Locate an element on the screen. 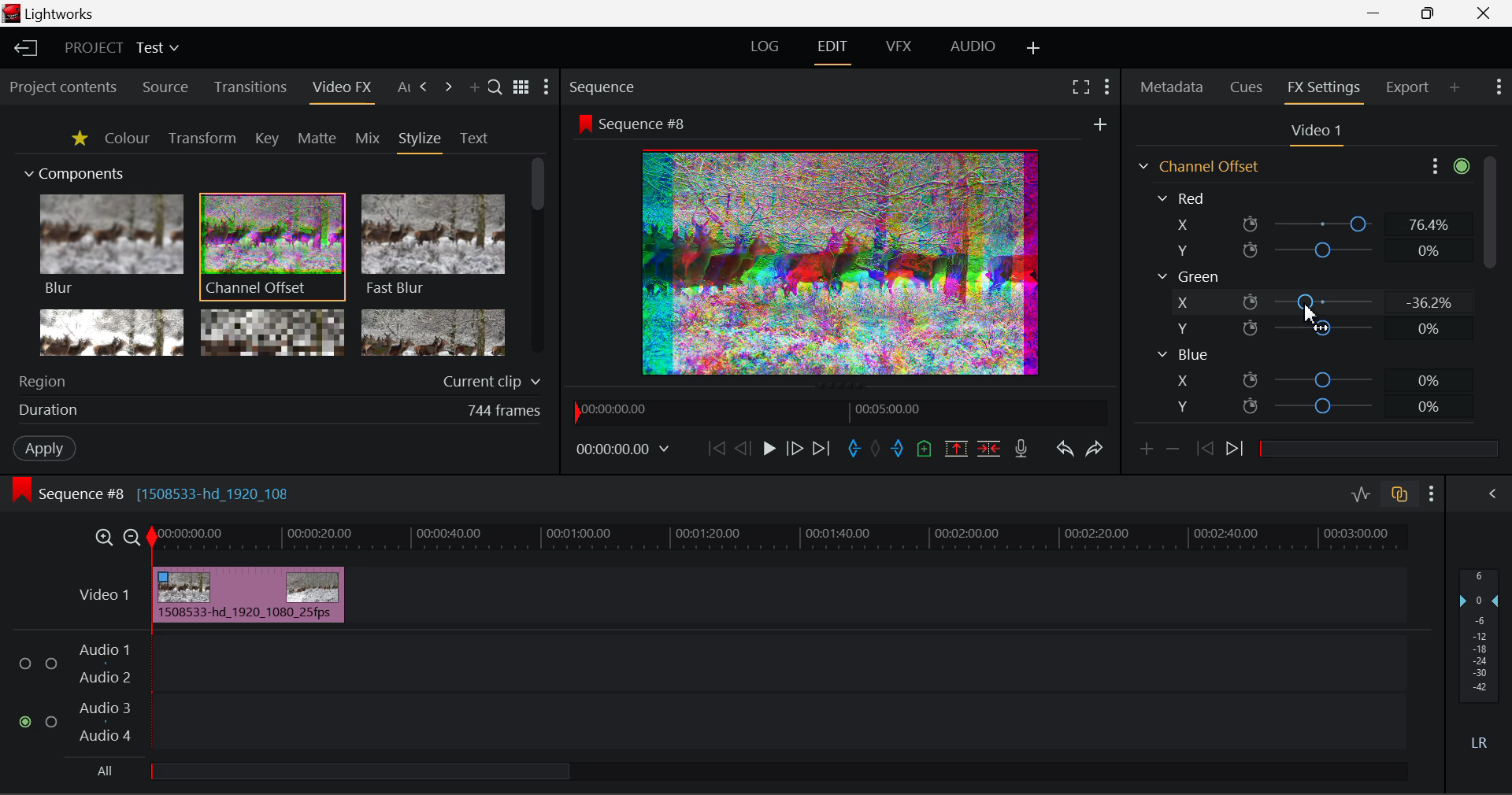 The image size is (1512, 795). Edit Layout Open is located at coordinates (832, 52).